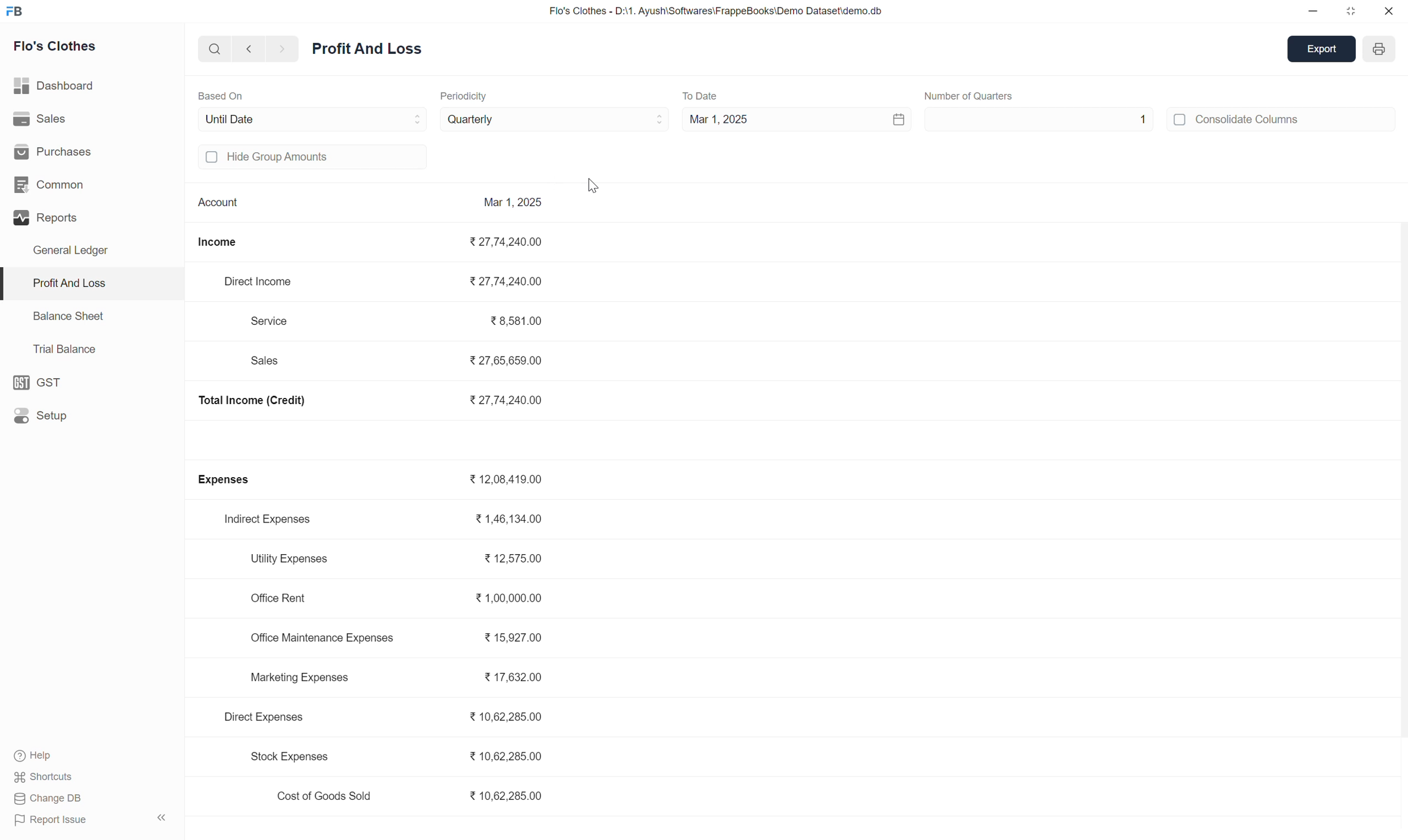 The height and width of the screenshot is (840, 1408). What do you see at coordinates (510, 598) in the screenshot?
I see `₹1,00,000.00` at bounding box center [510, 598].